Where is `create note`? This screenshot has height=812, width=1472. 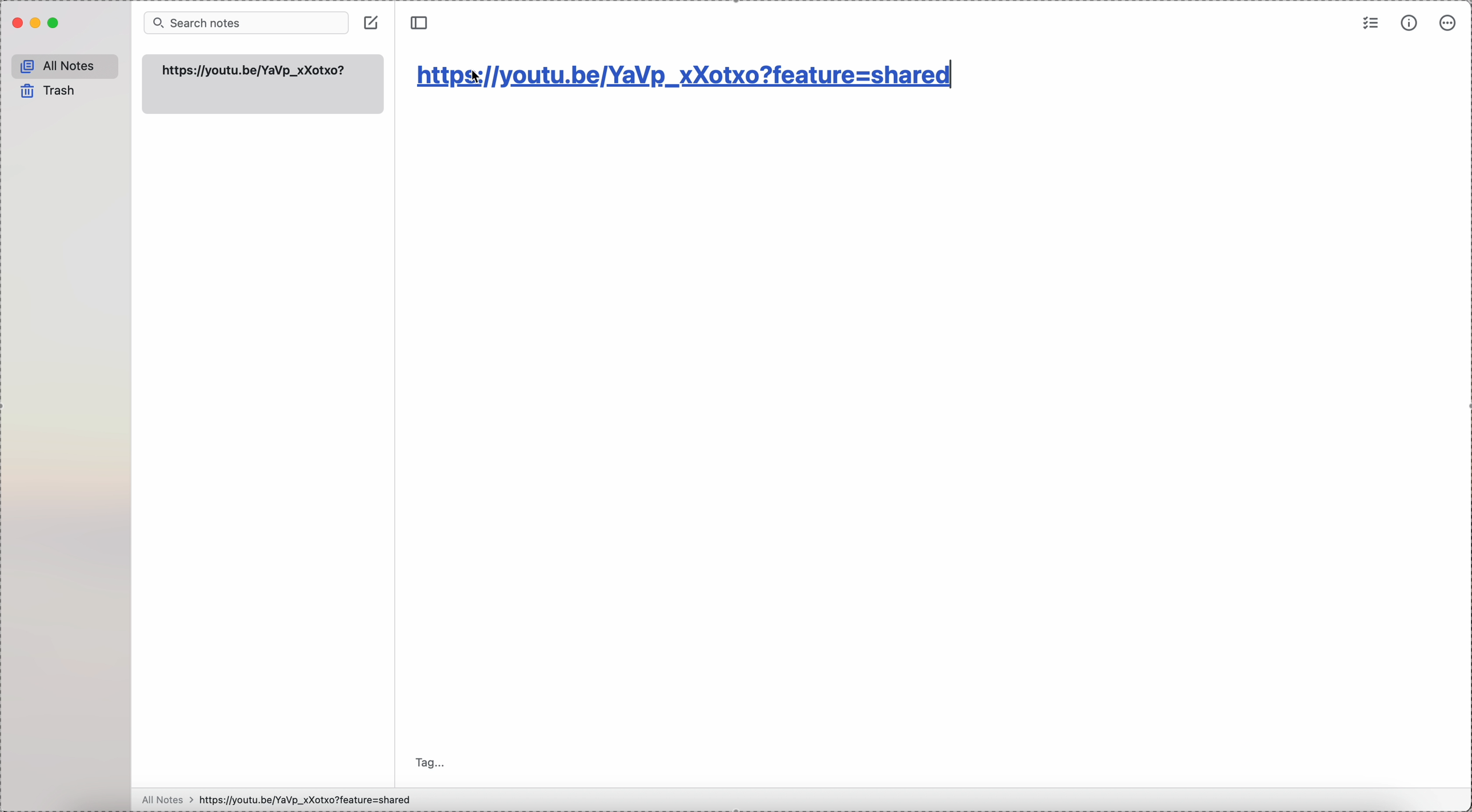
create note is located at coordinates (372, 24).